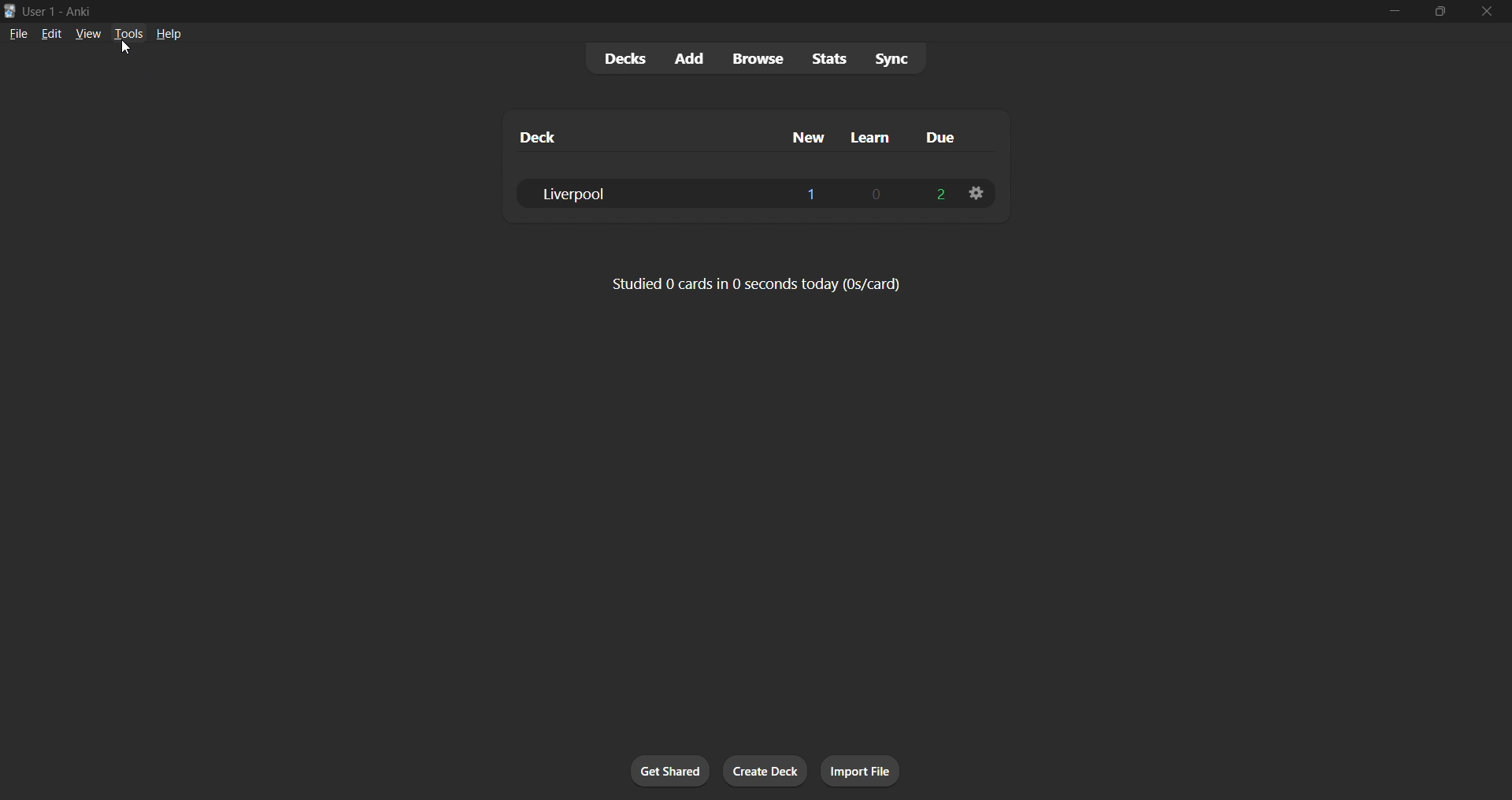 The width and height of the screenshot is (1512, 800). Describe the element at coordinates (1487, 11) in the screenshot. I see `close` at that location.